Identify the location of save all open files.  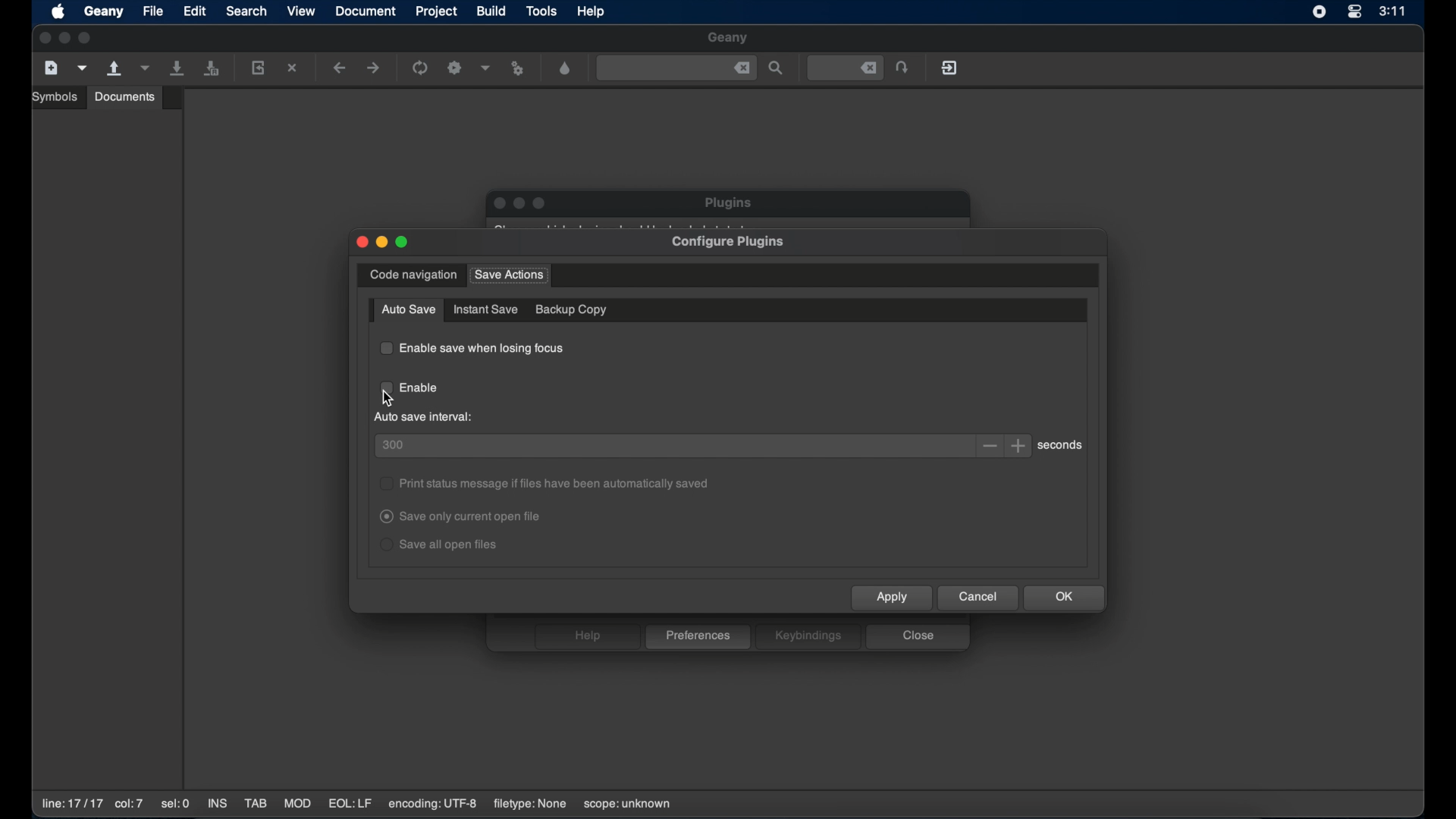
(212, 69).